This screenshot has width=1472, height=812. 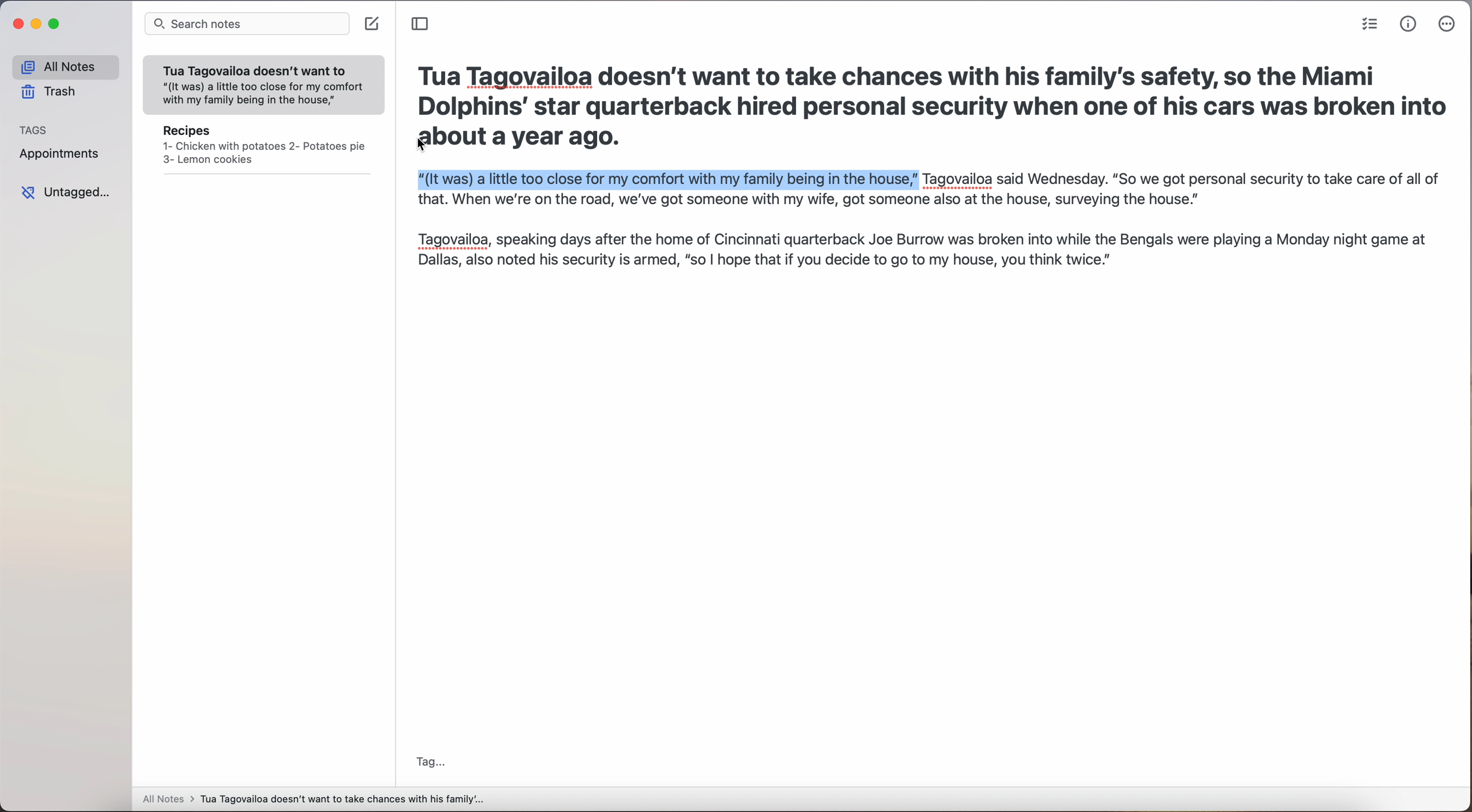 I want to click on untagged..., so click(x=63, y=193).